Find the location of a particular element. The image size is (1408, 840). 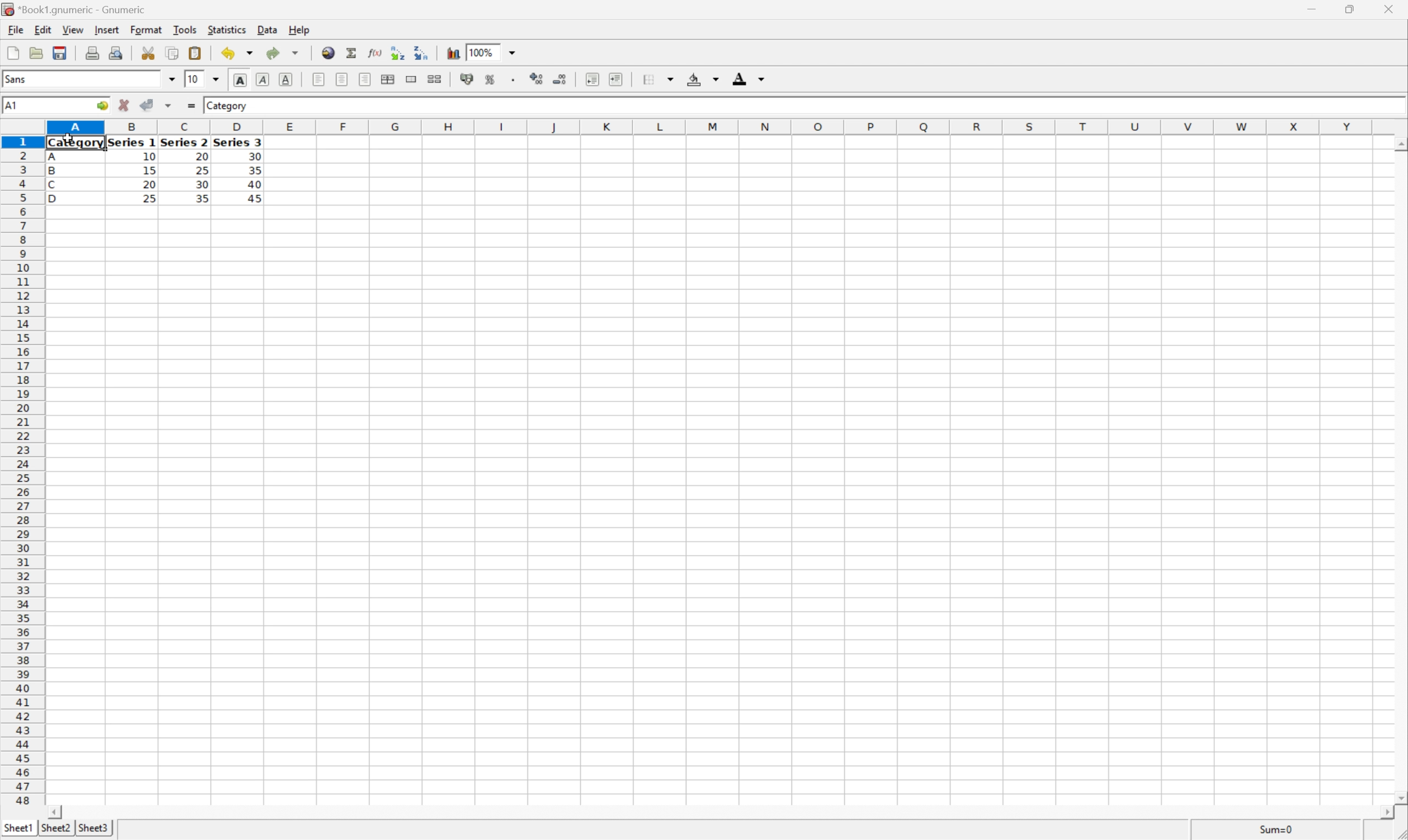

Series 1 is located at coordinates (132, 143).